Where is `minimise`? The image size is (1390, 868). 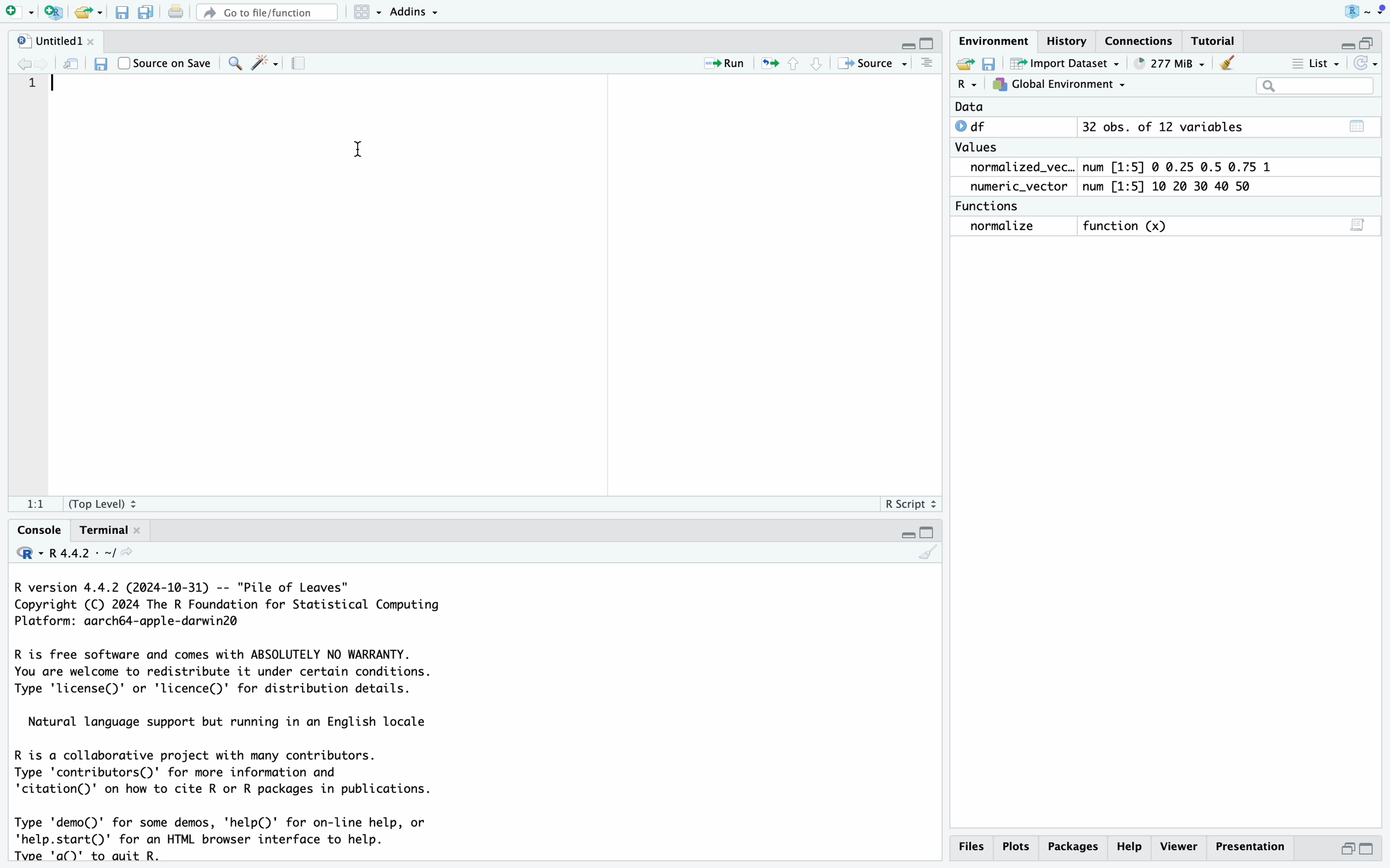
minimise is located at coordinates (1349, 847).